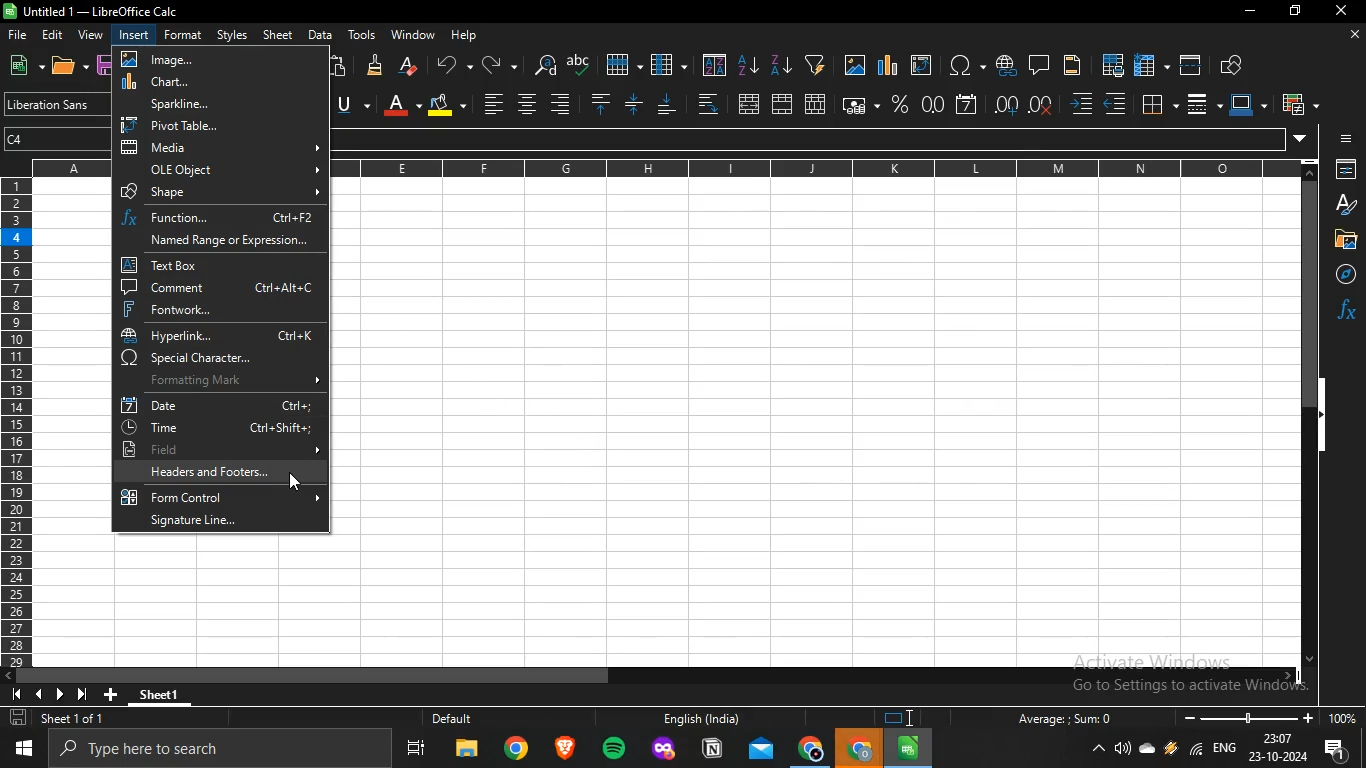 The width and height of the screenshot is (1366, 768). Describe the element at coordinates (1099, 750) in the screenshot. I see `show hidden icons` at that location.